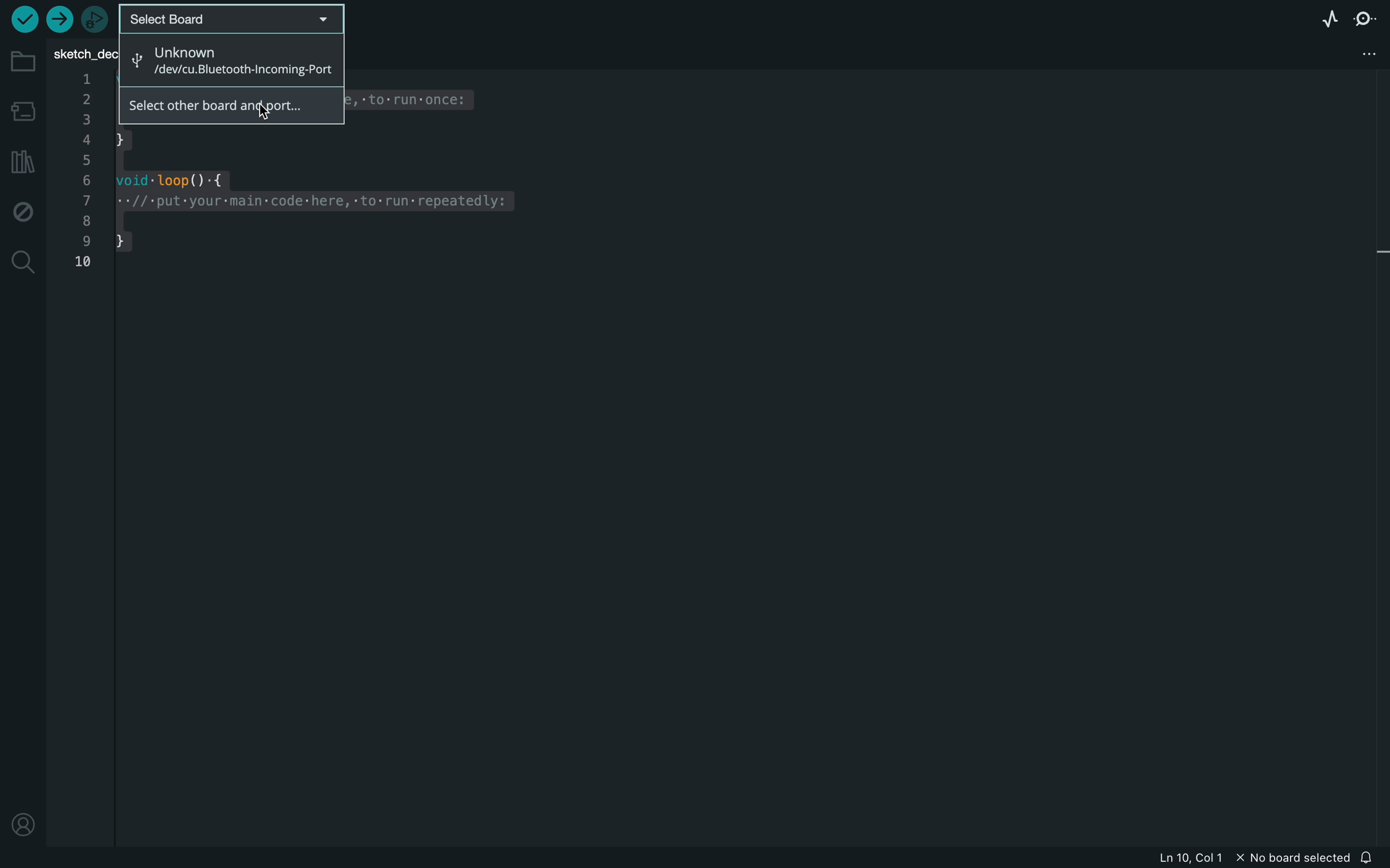  Describe the element at coordinates (271, 104) in the screenshot. I see `cursor` at that location.